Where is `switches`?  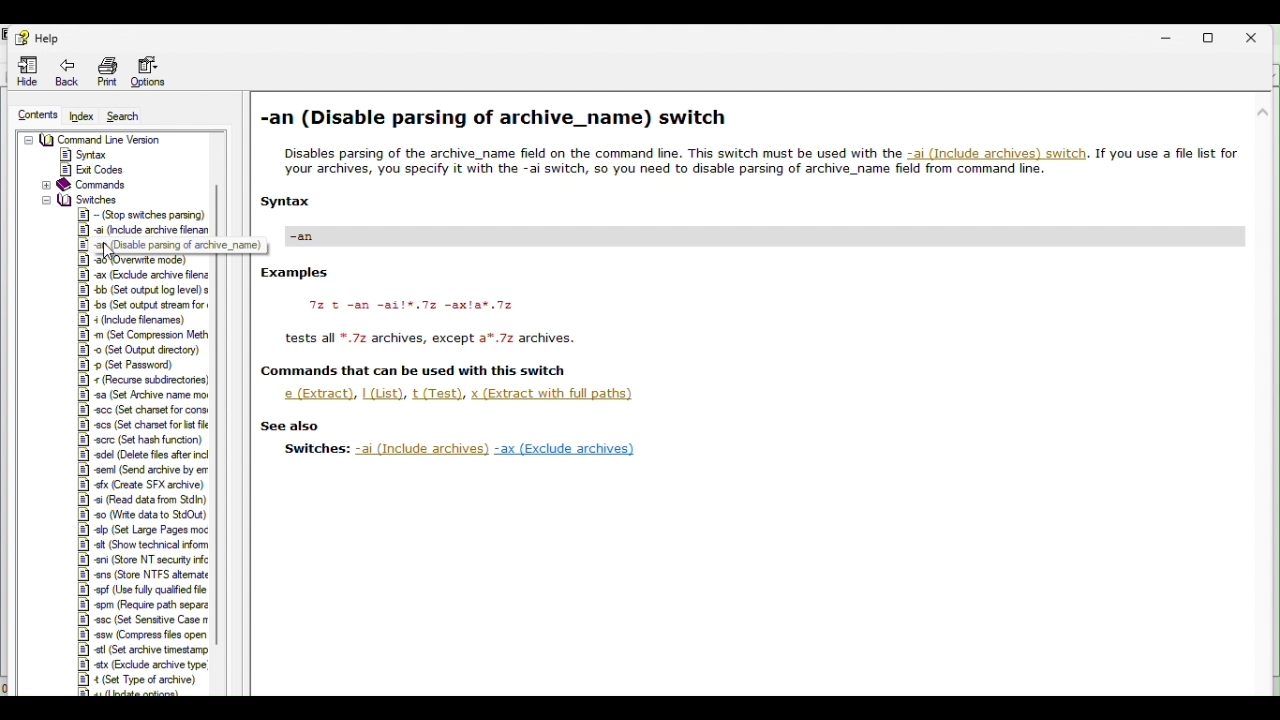 switches is located at coordinates (78, 198).